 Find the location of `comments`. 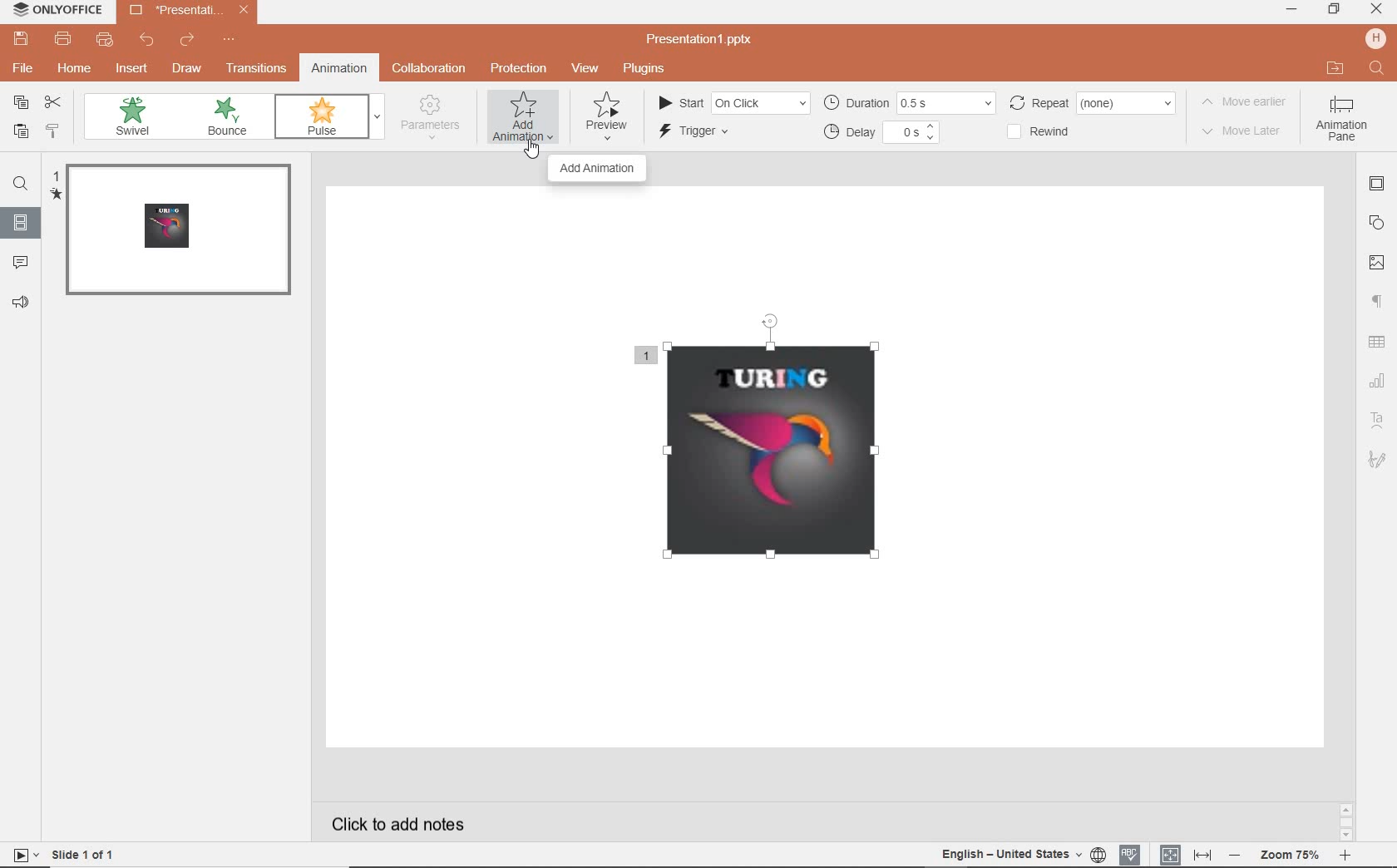

comments is located at coordinates (21, 264).